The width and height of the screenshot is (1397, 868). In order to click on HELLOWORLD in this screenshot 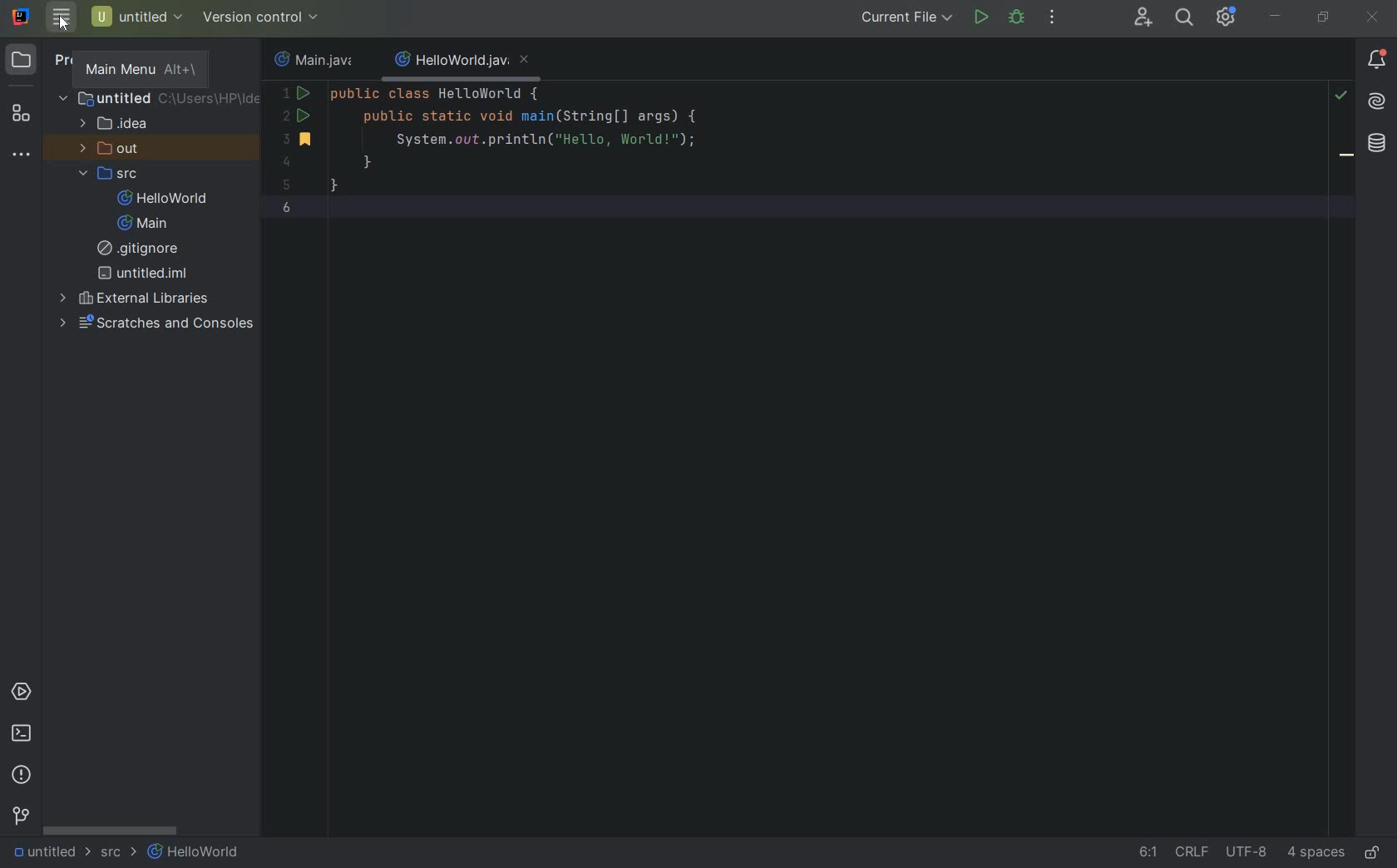, I will do `click(192, 851)`.